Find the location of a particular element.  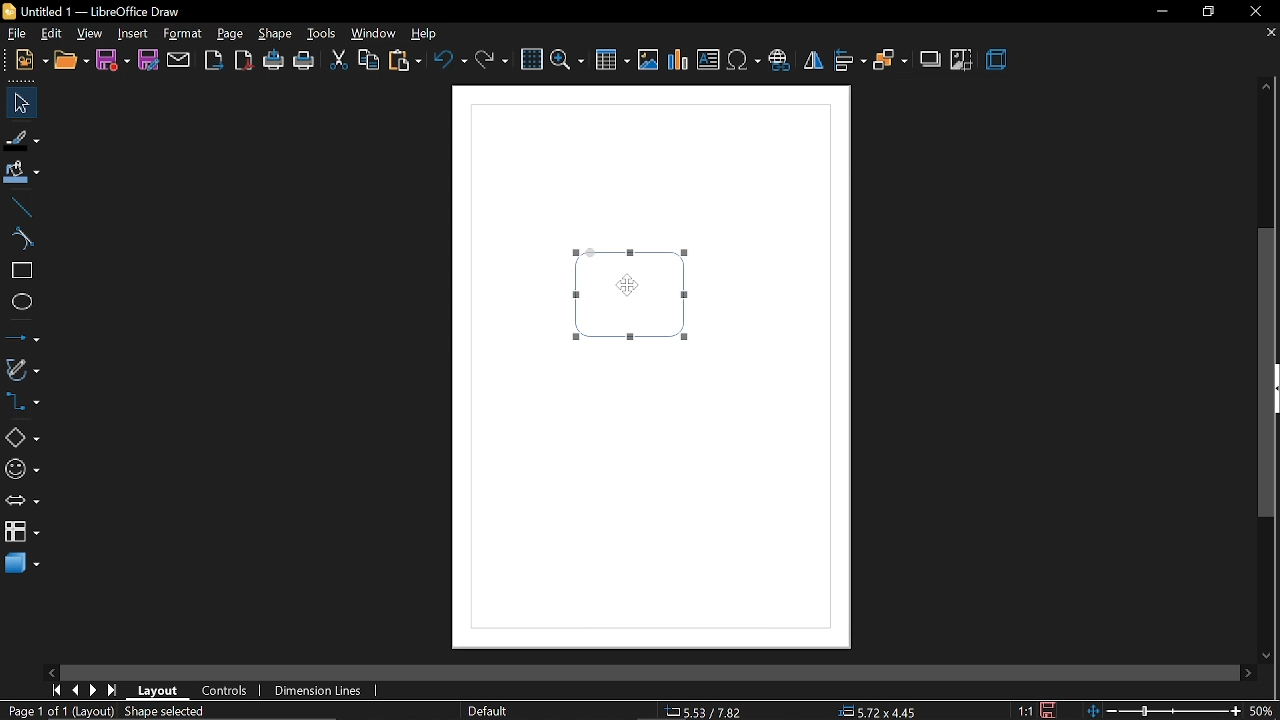

close tab is located at coordinates (1270, 34).